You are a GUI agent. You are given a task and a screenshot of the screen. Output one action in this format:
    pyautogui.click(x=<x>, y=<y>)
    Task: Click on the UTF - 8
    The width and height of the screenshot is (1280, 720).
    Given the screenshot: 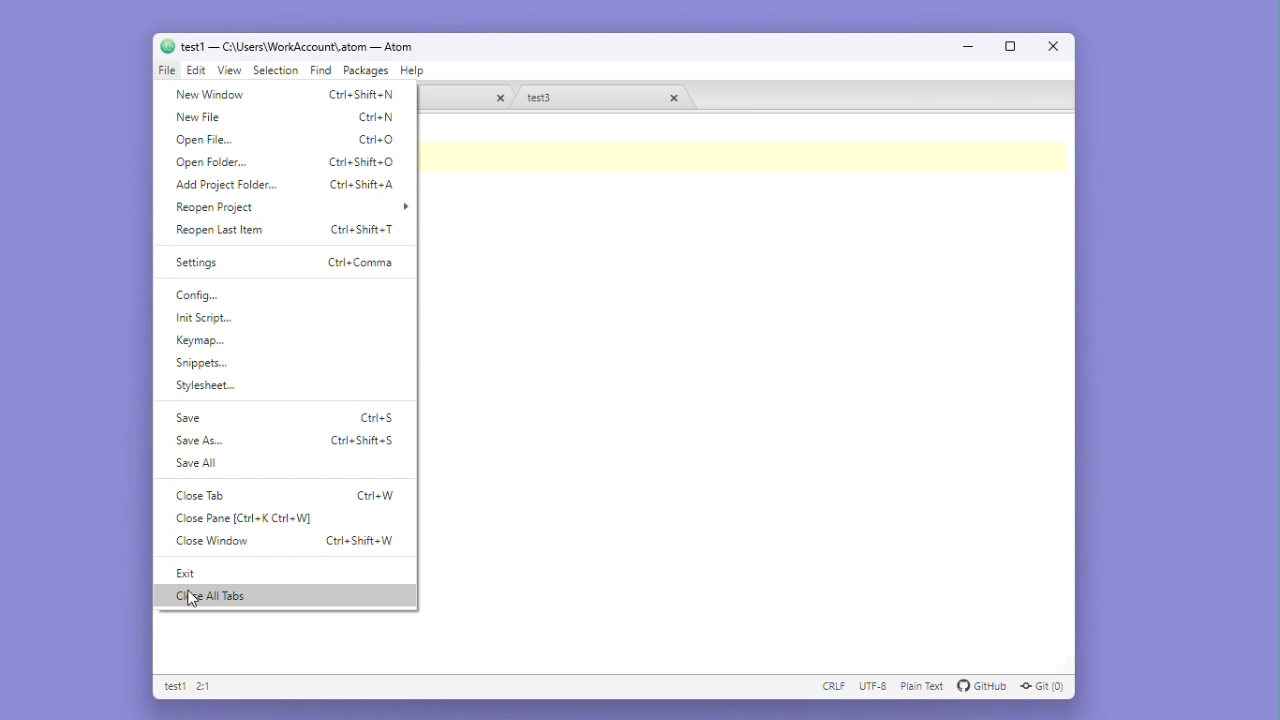 What is the action you would take?
    pyautogui.click(x=875, y=686)
    